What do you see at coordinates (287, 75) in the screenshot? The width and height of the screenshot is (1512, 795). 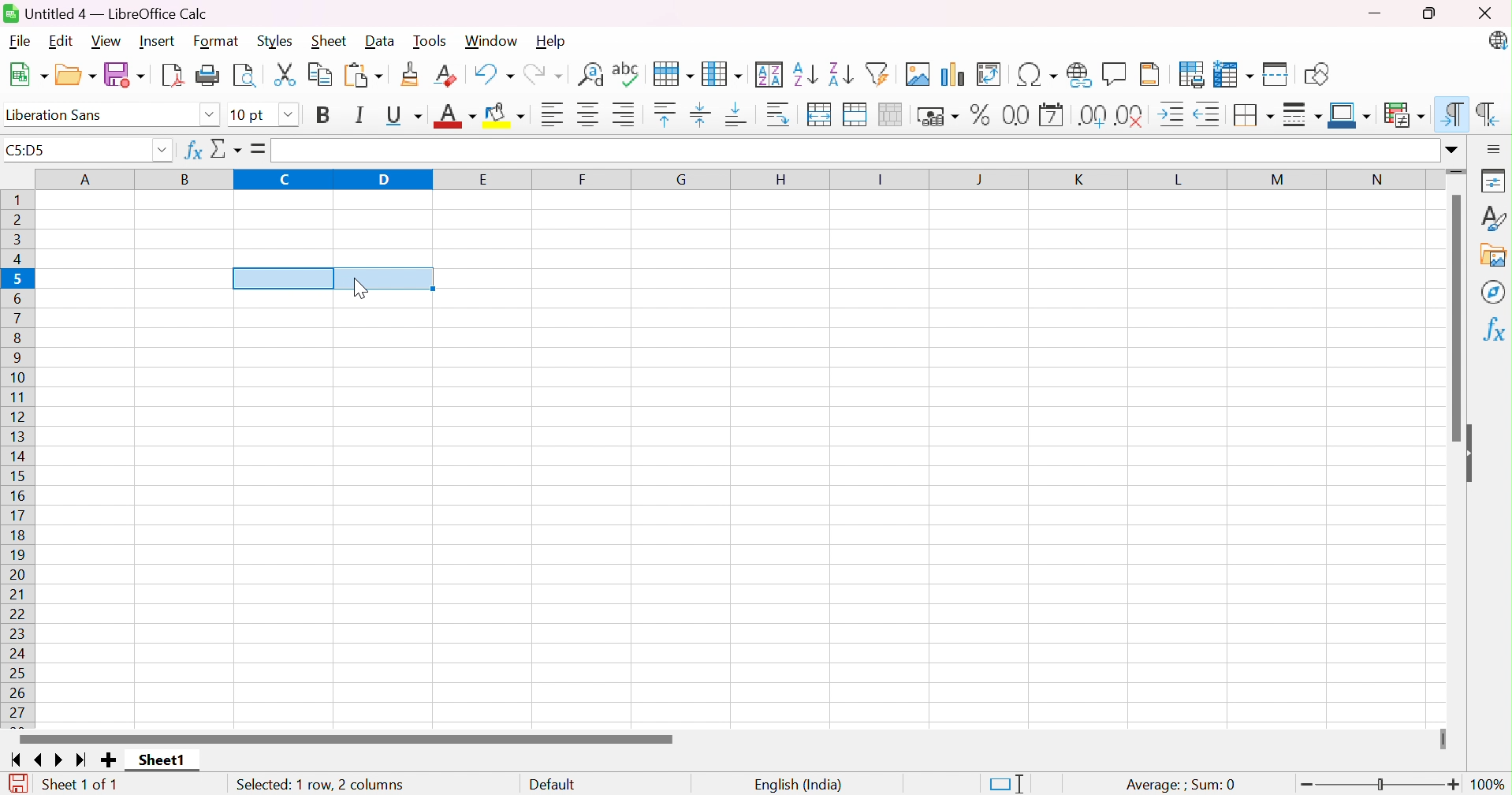 I see `Cut` at bounding box center [287, 75].